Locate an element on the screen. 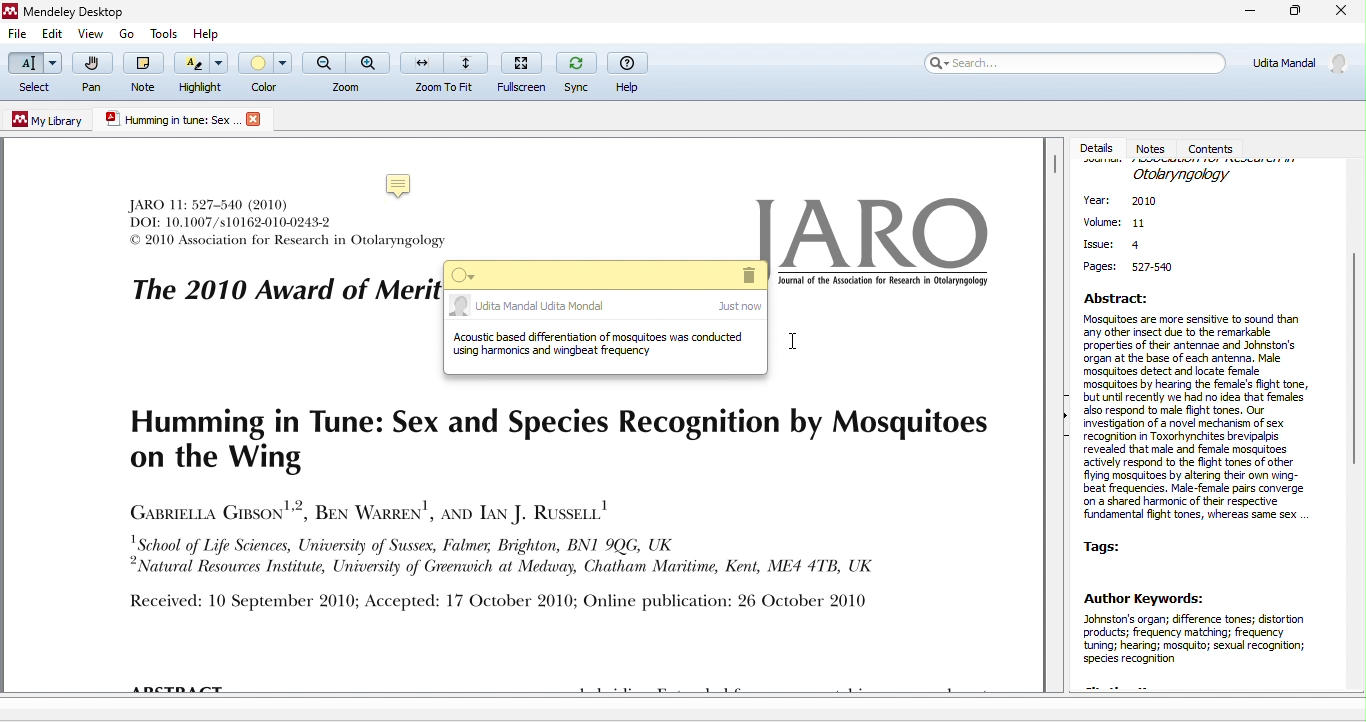  pan is located at coordinates (90, 76).